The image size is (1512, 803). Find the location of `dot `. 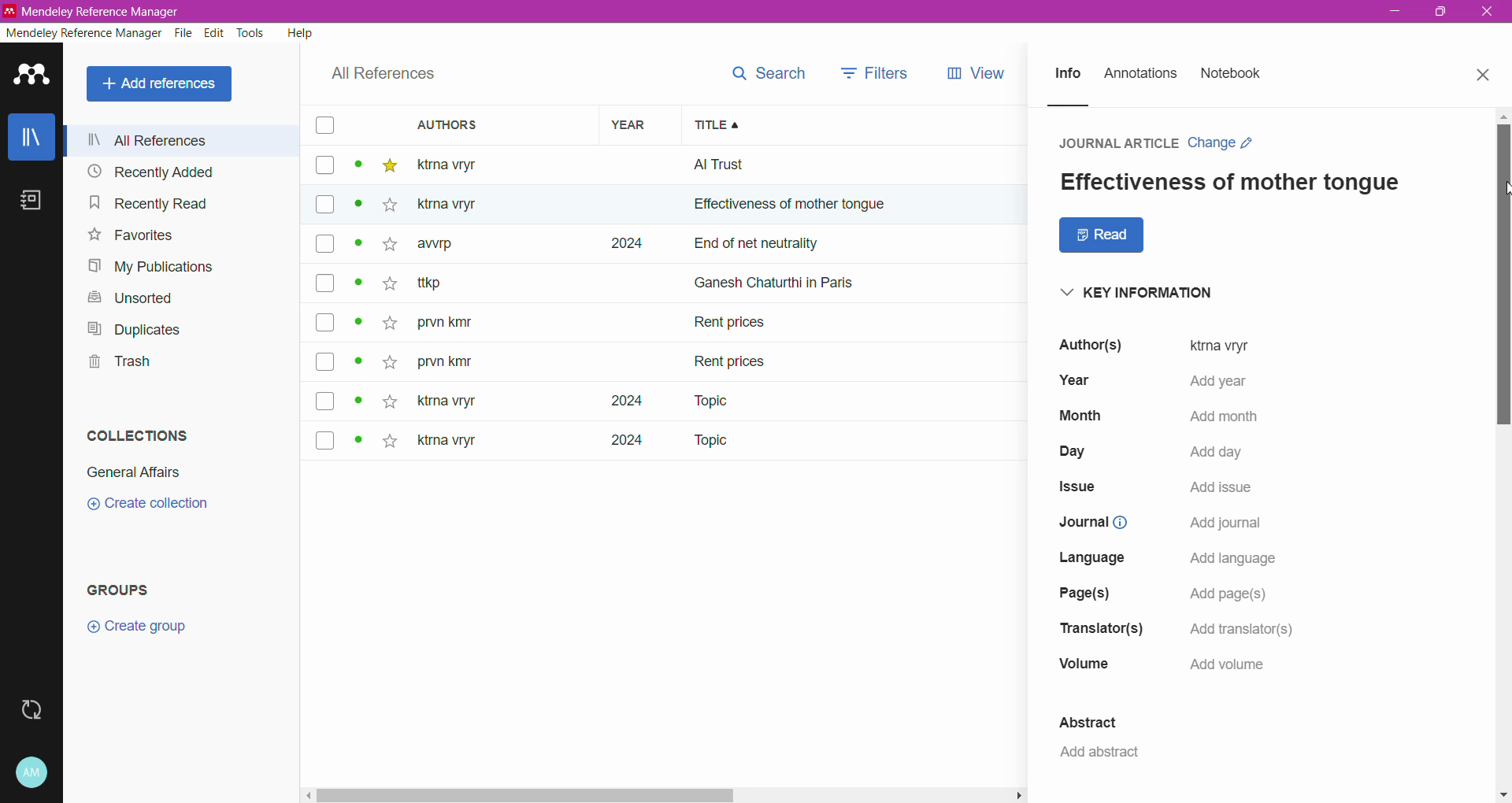

dot  is located at coordinates (358, 366).